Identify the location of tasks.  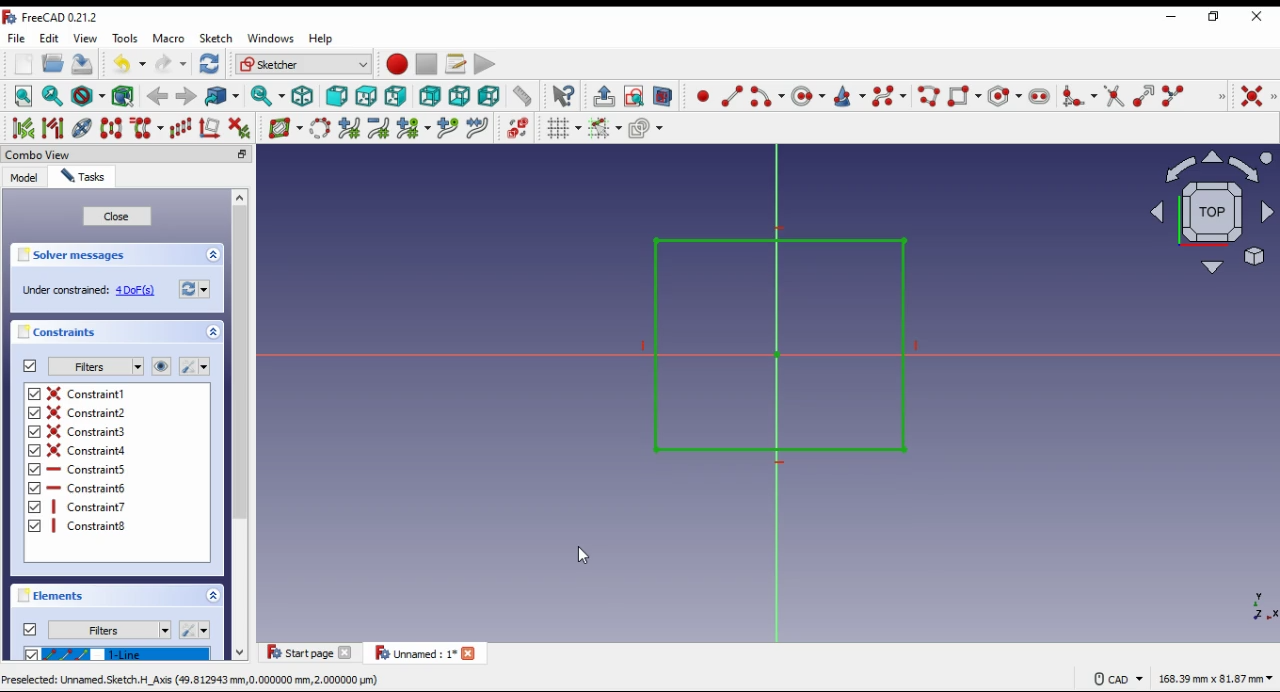
(84, 176).